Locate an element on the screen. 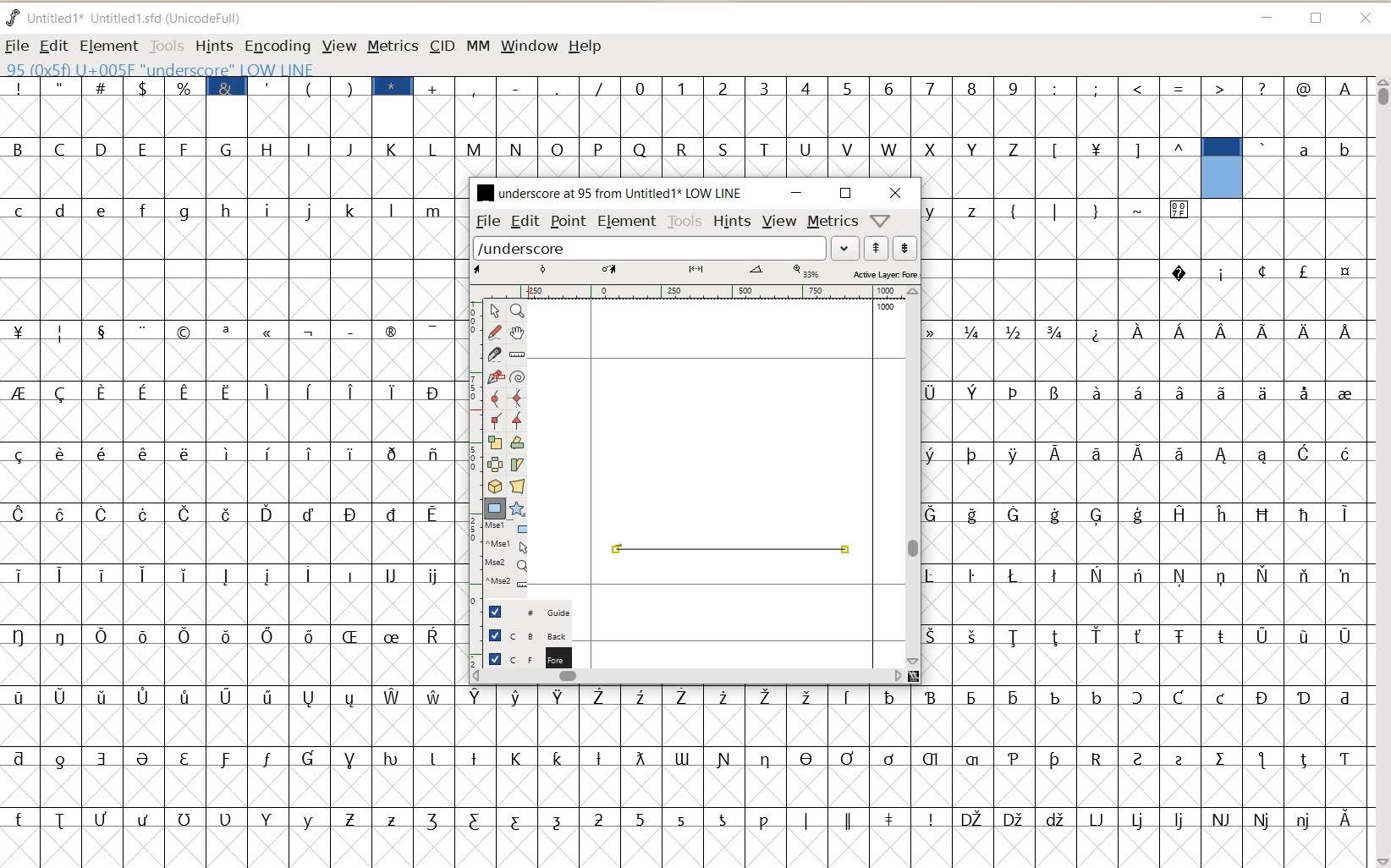  RESTORE is located at coordinates (1317, 19).